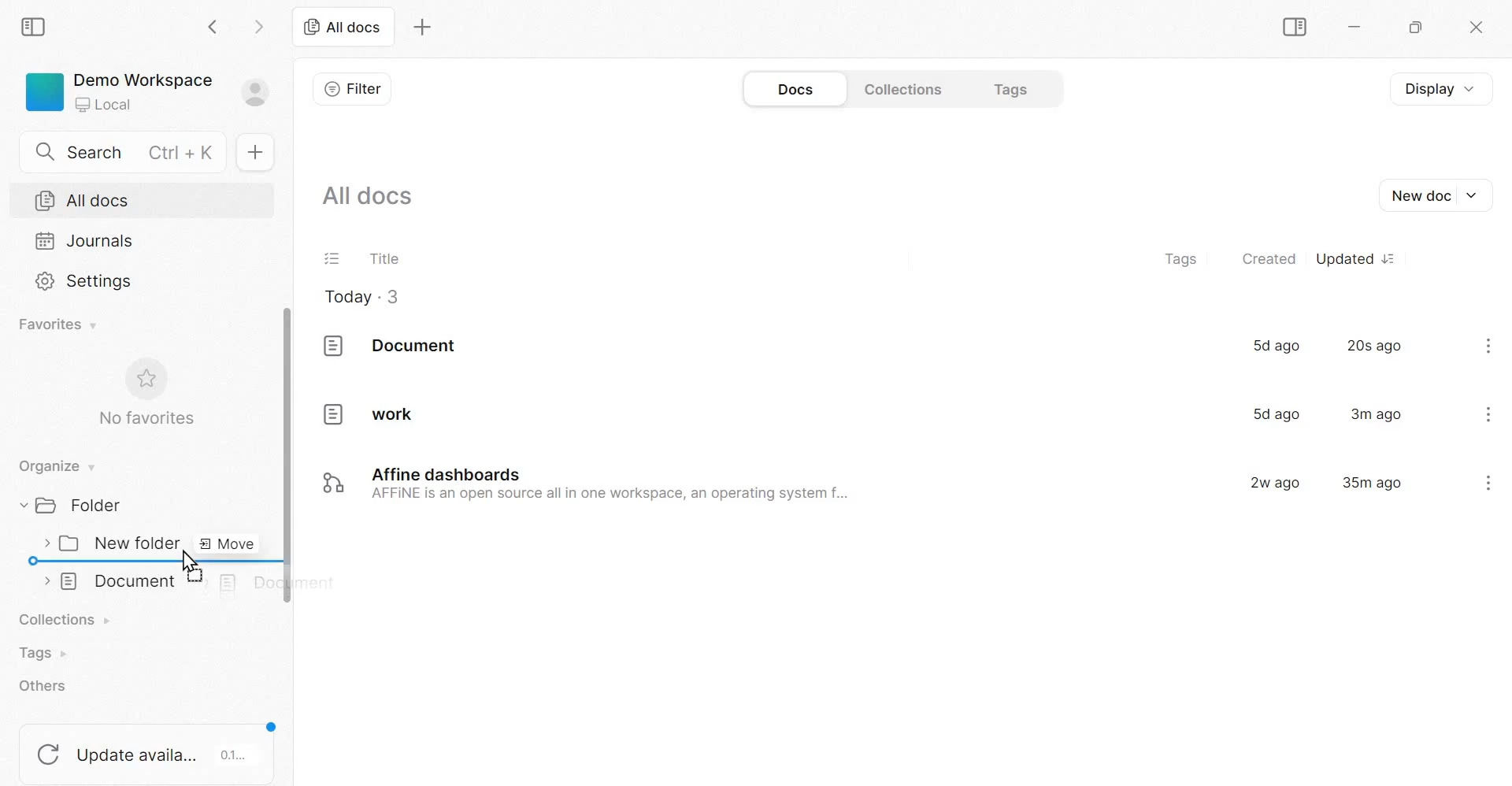 The width and height of the screenshot is (1512, 786). What do you see at coordinates (86, 240) in the screenshot?
I see `Journals` at bounding box center [86, 240].